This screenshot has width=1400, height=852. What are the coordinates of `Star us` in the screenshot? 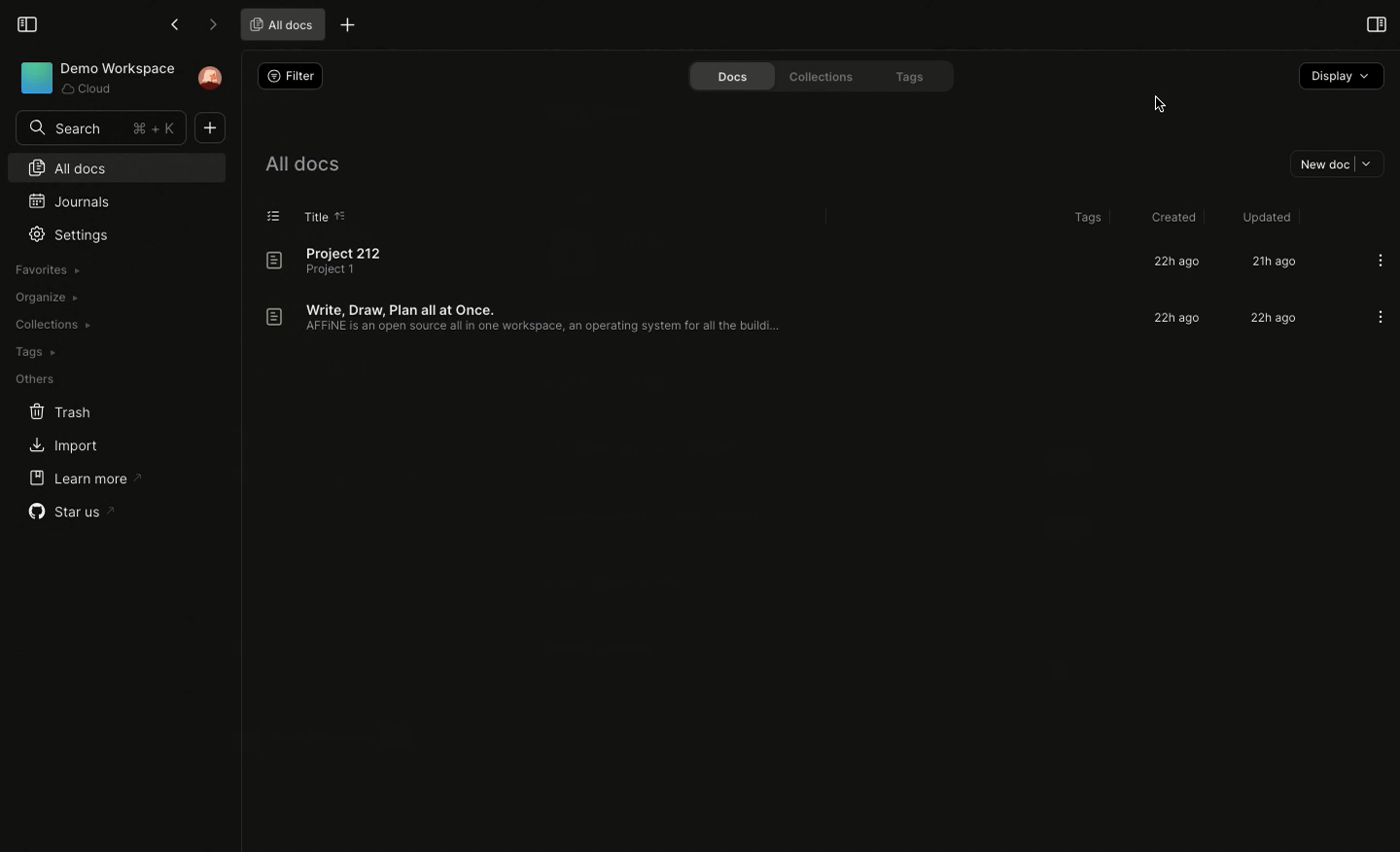 It's located at (74, 512).